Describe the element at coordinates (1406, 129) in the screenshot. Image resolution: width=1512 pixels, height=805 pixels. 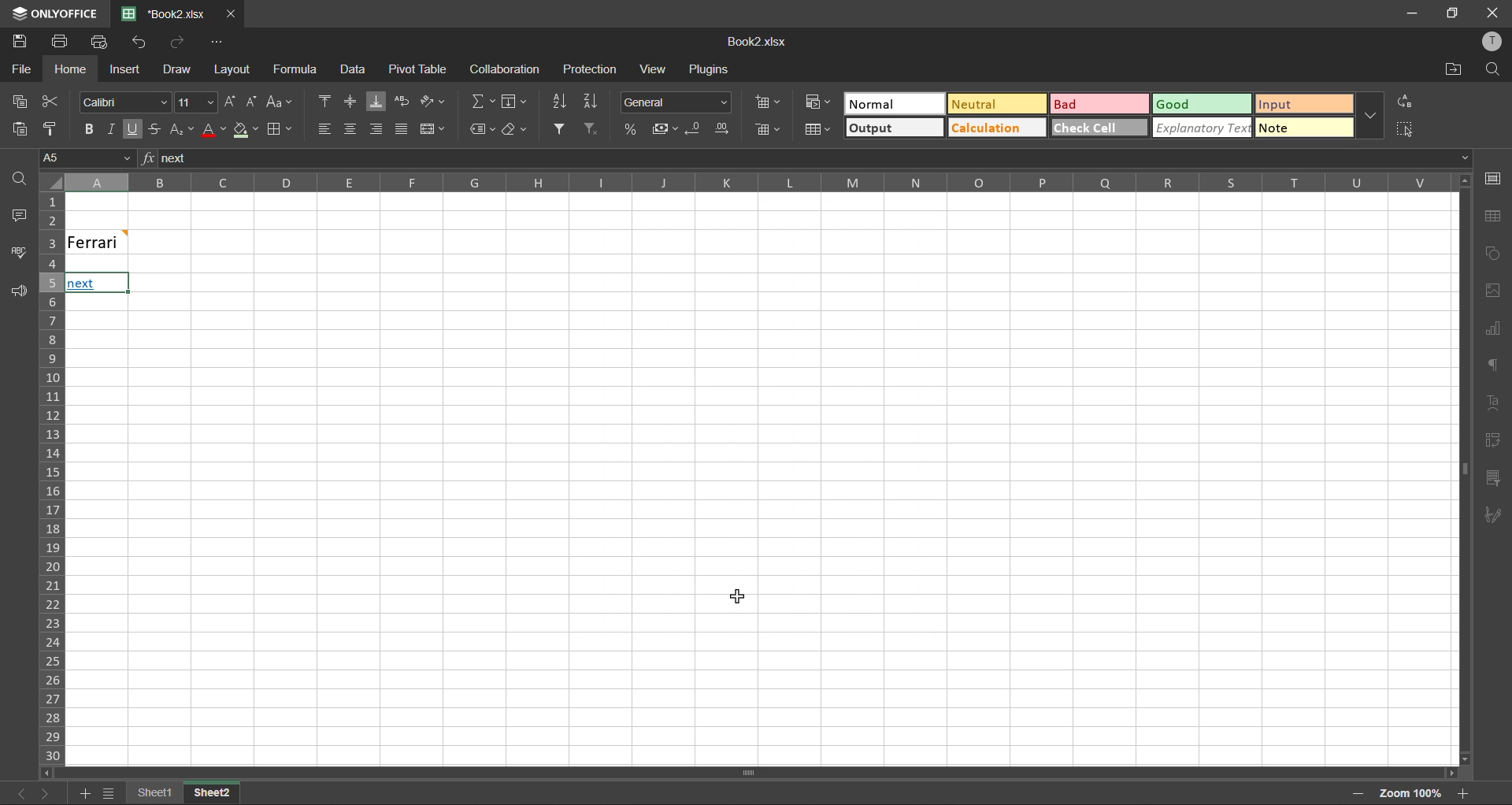
I see `select all` at that location.